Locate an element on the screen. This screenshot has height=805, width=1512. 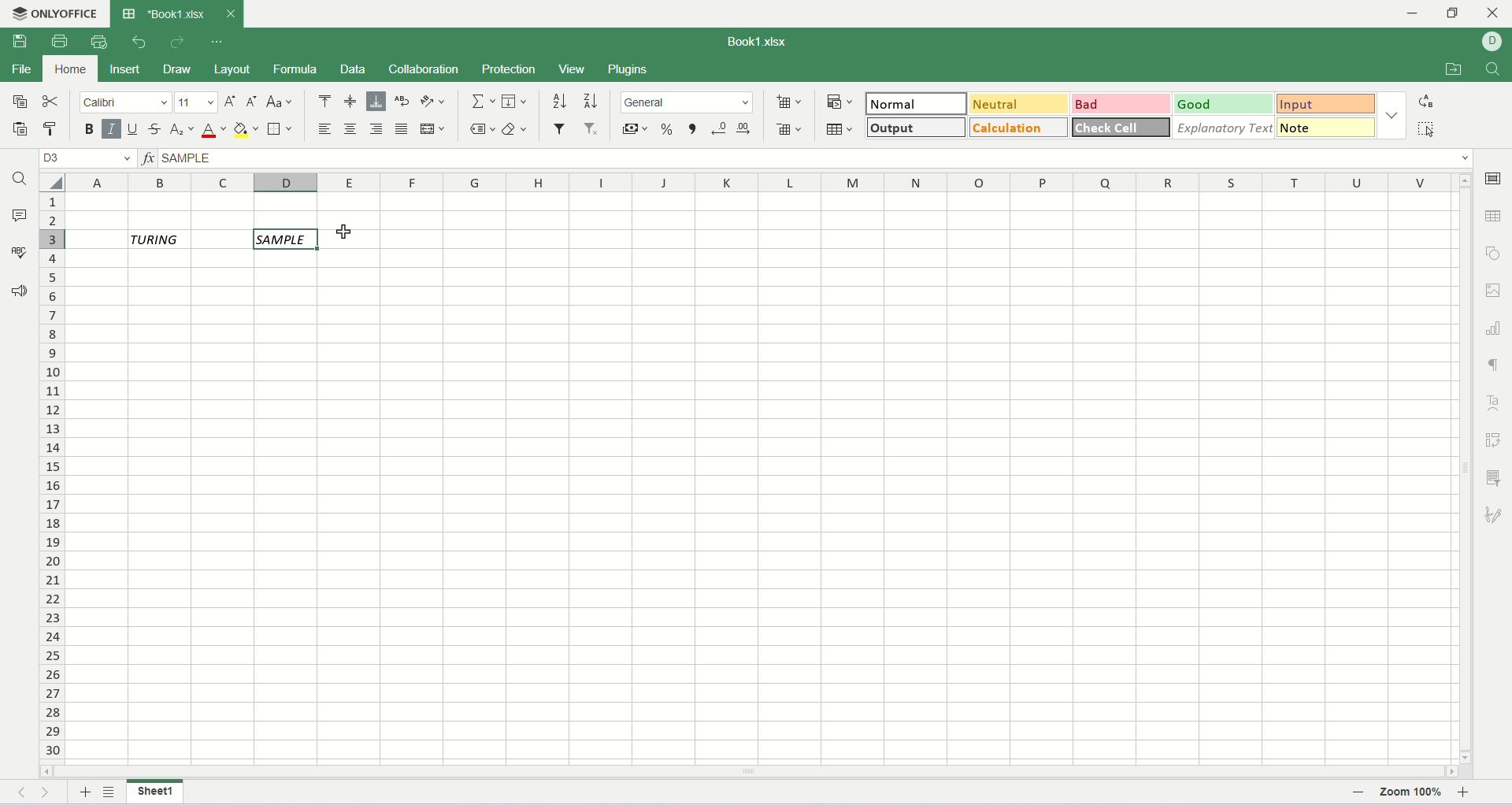
neutral is located at coordinates (1017, 103).